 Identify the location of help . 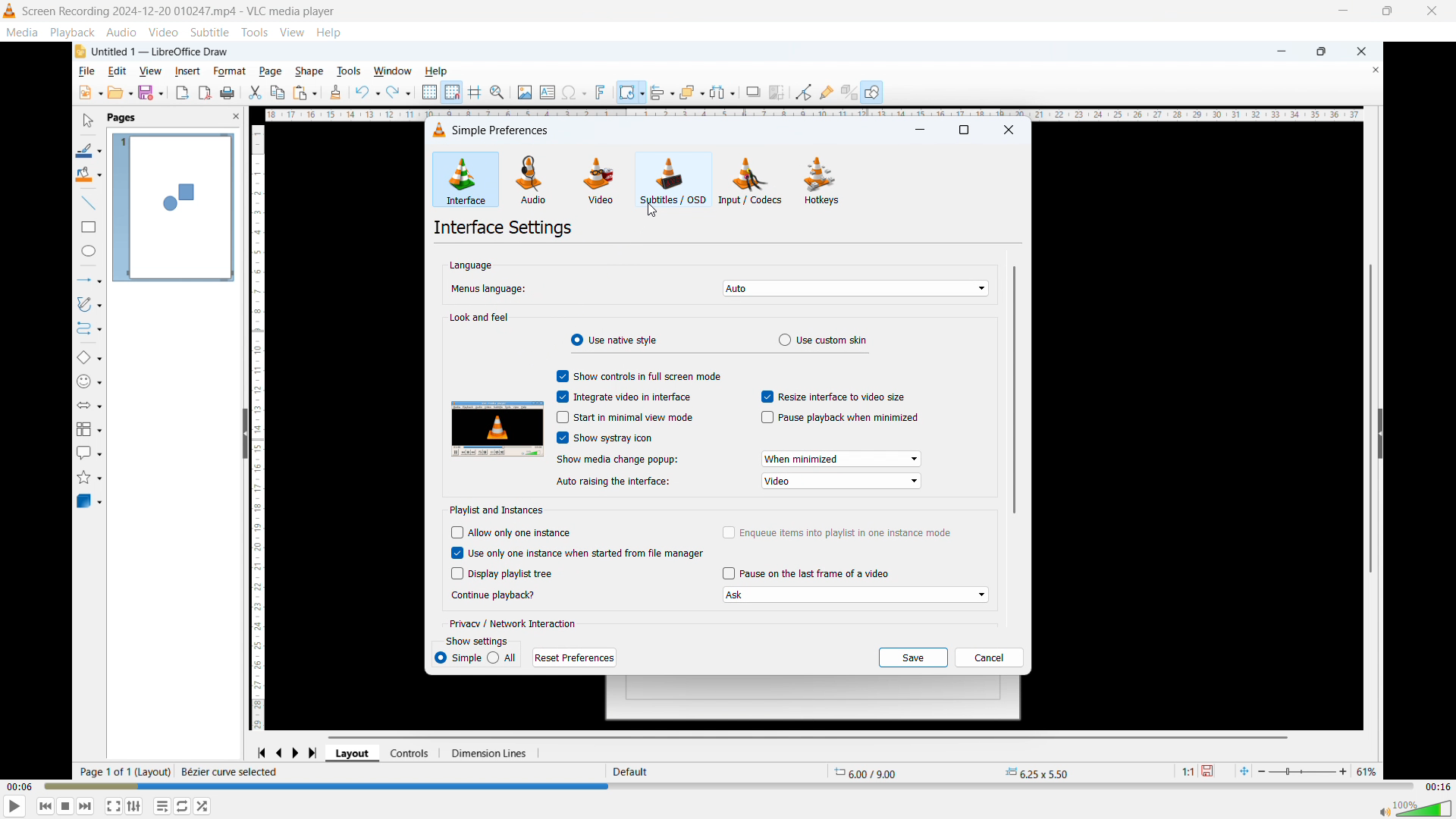
(330, 33).